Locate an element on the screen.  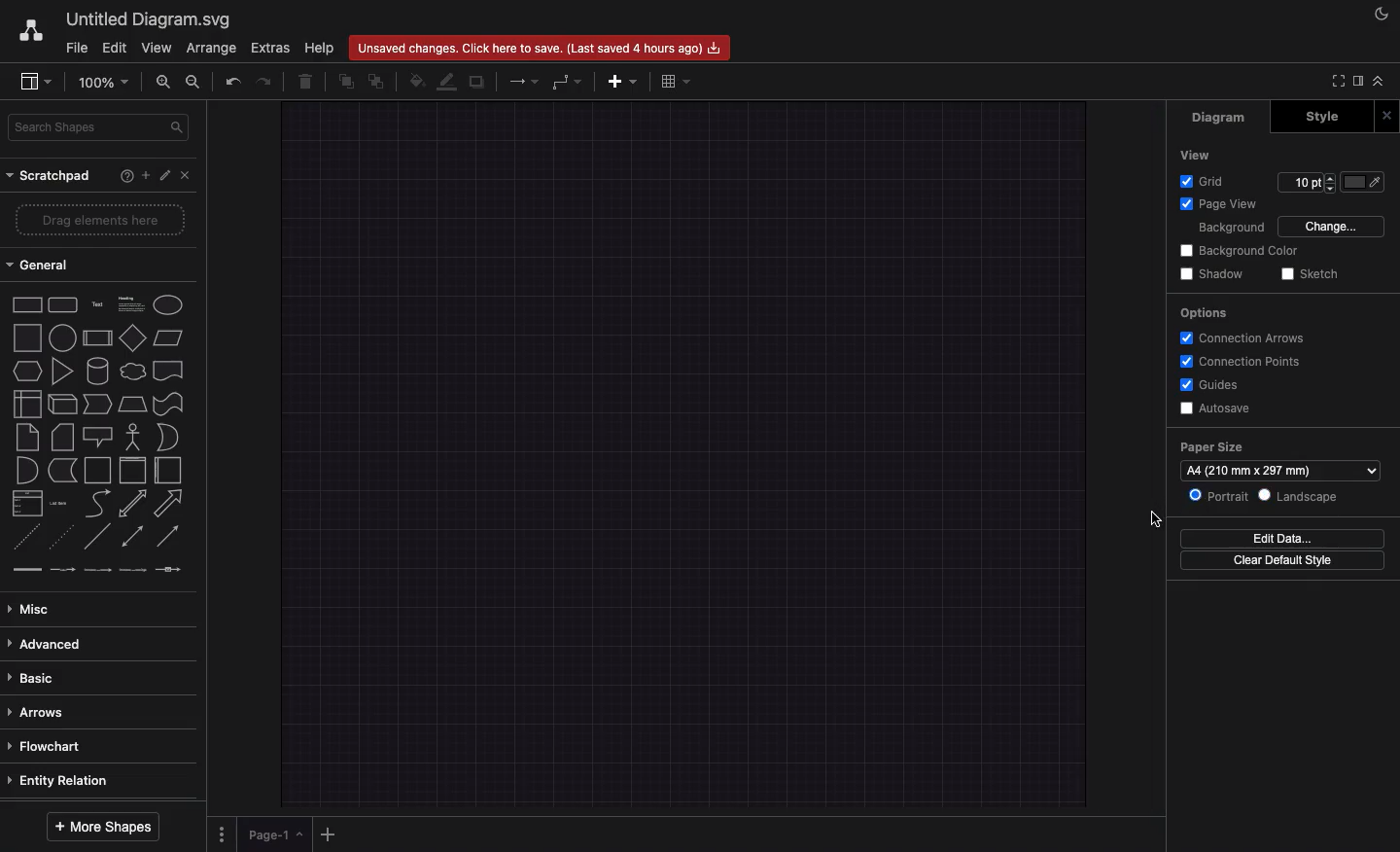
Landscape is located at coordinates (1303, 499).